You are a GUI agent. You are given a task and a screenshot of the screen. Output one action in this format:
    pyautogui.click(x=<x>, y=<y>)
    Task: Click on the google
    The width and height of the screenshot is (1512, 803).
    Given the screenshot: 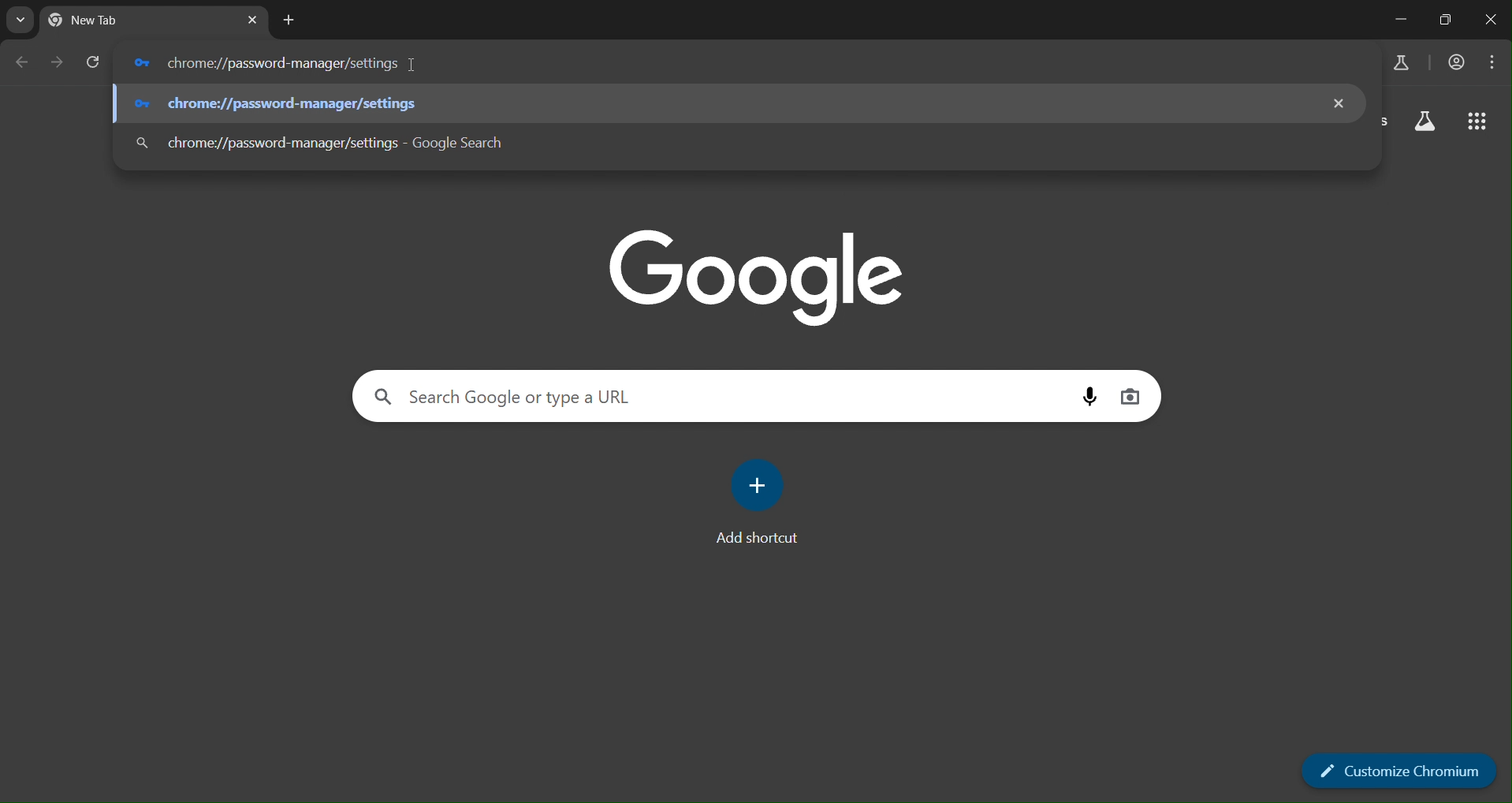 What is the action you would take?
    pyautogui.click(x=754, y=279)
    